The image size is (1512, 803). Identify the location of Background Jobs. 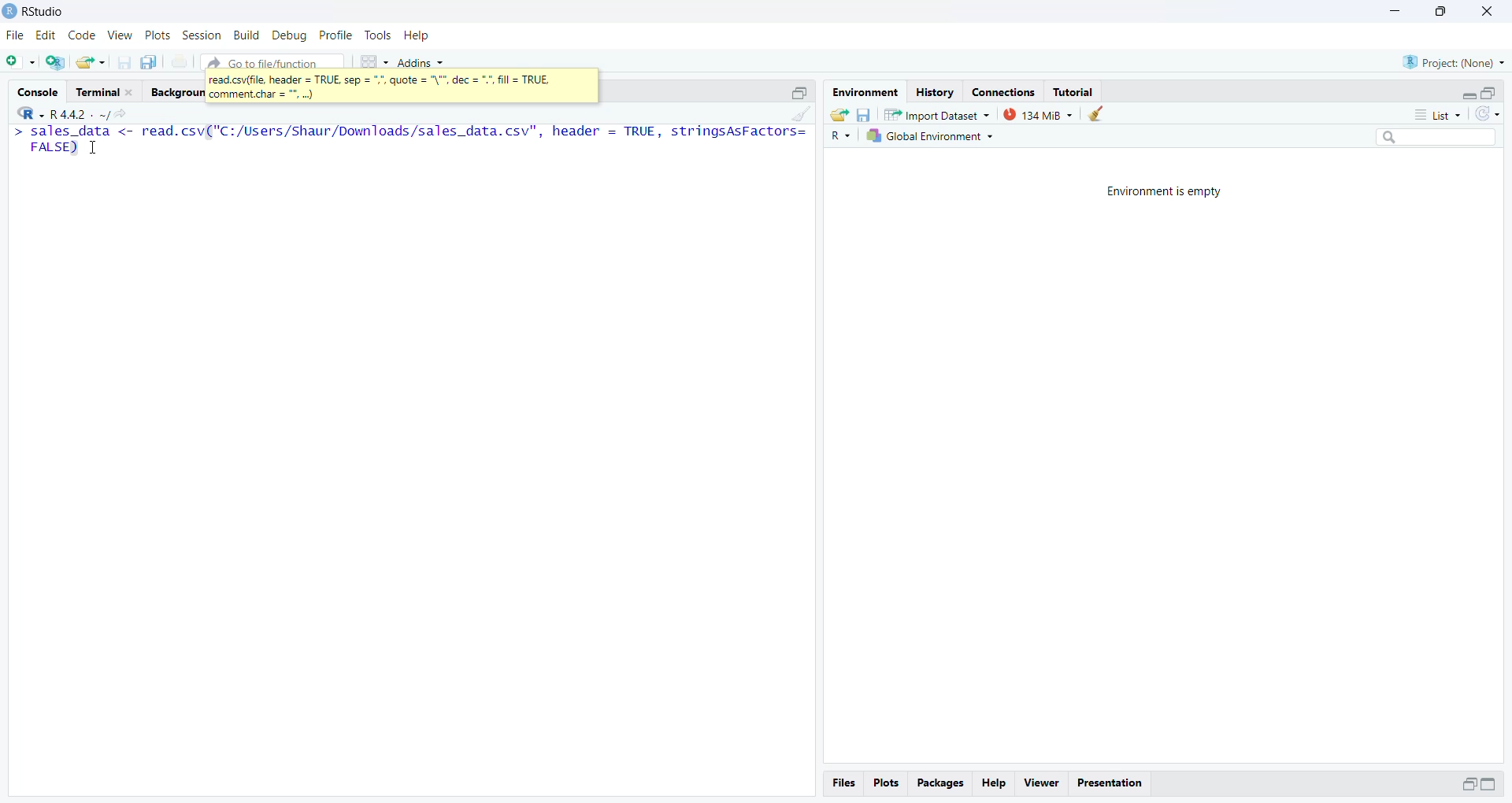
(174, 93).